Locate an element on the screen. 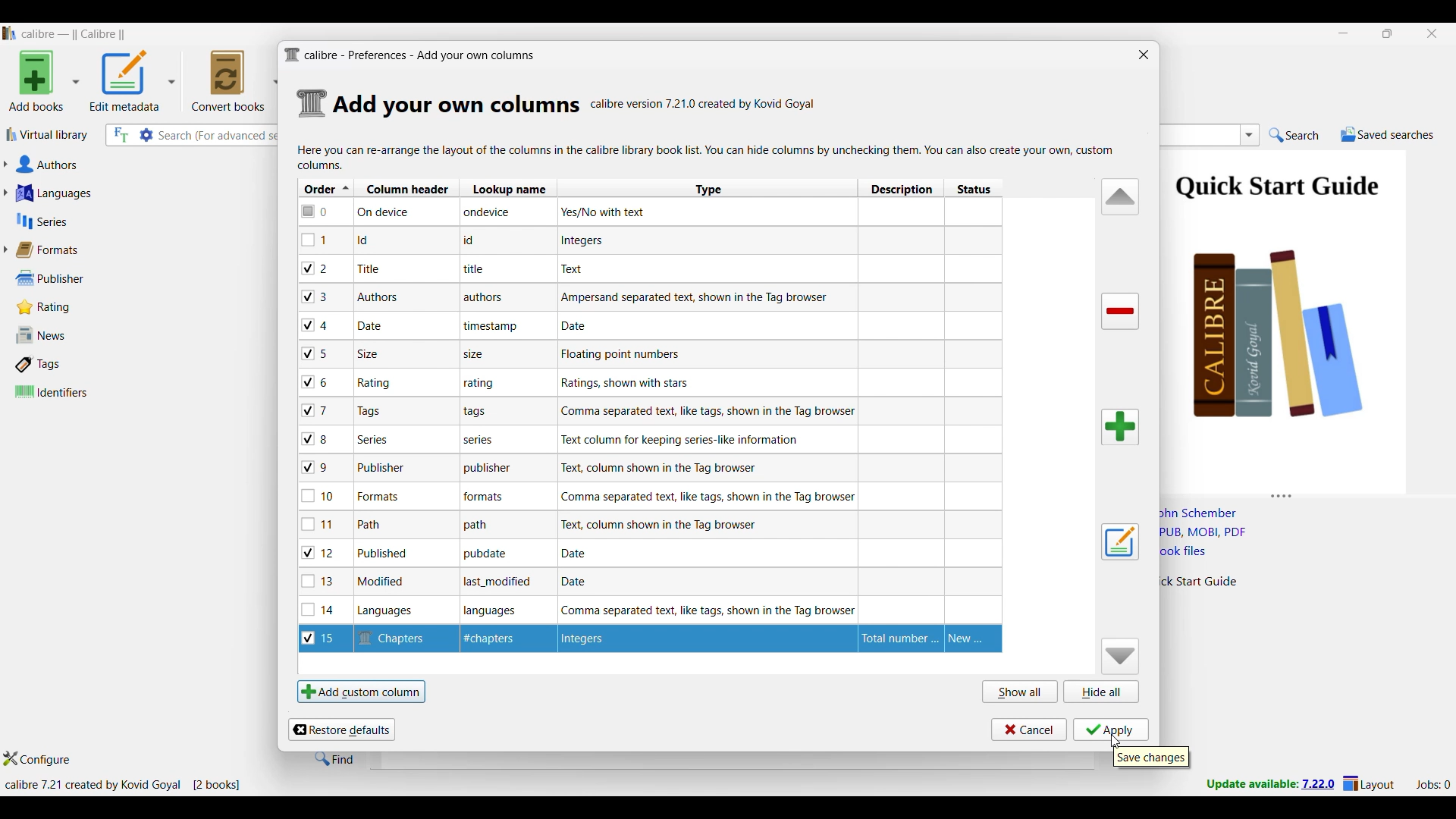 This screenshot has height=819, width=1456. Note is located at coordinates (370, 412).